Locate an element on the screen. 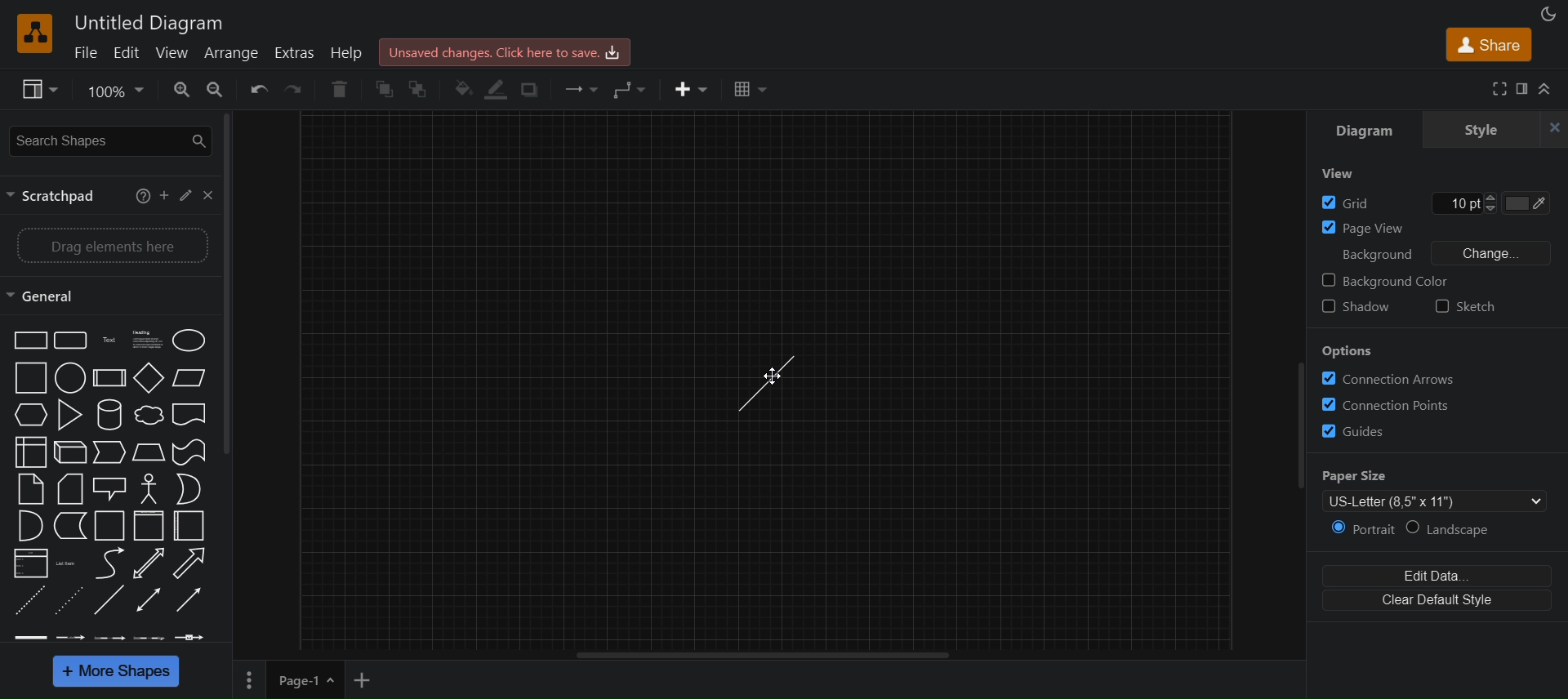 The image size is (1568, 699). edit data is located at coordinates (1433, 574).